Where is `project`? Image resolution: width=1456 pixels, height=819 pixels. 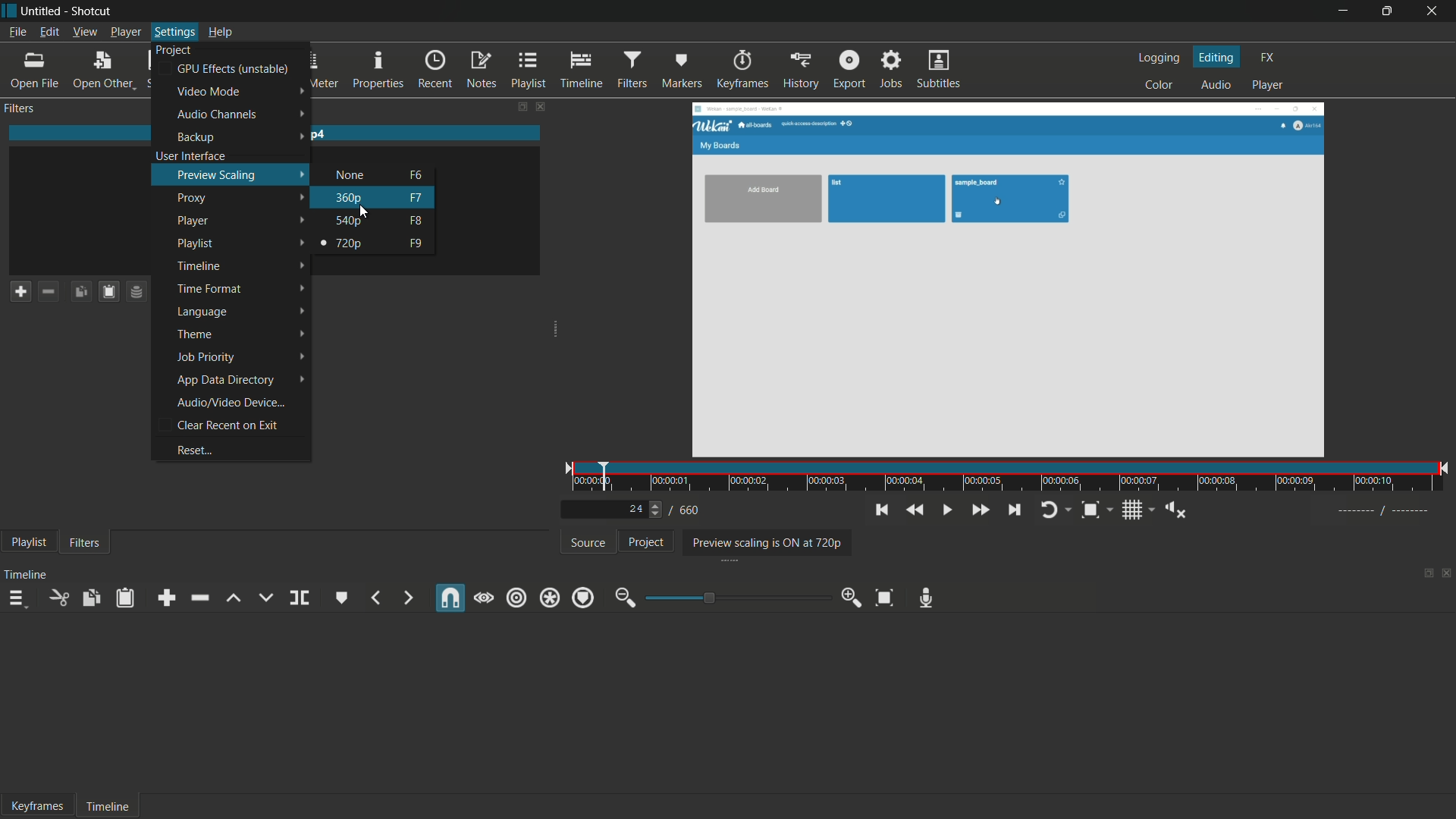 project is located at coordinates (174, 49).